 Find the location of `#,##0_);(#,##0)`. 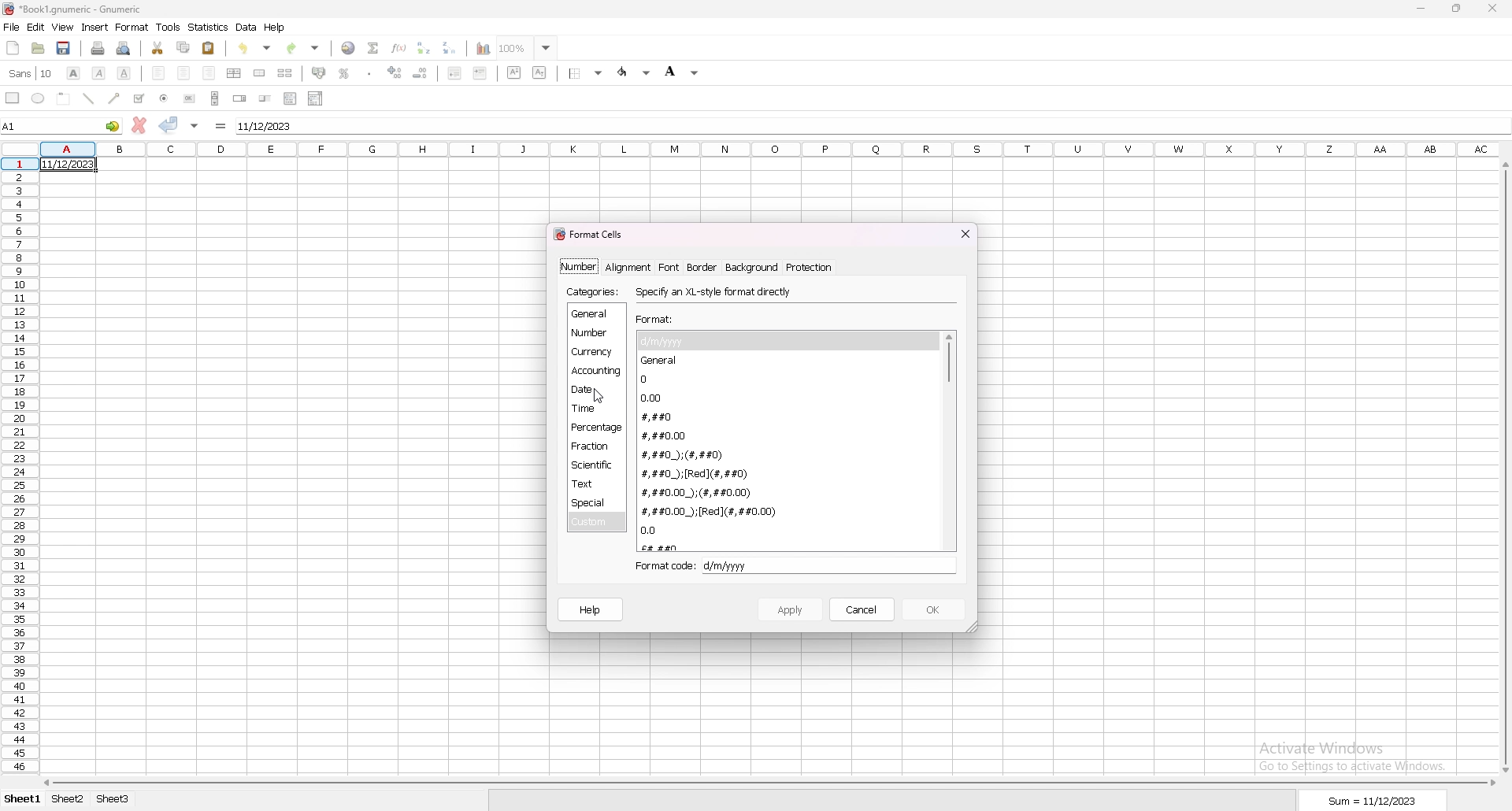

#,##0_);(#,##0) is located at coordinates (685, 454).